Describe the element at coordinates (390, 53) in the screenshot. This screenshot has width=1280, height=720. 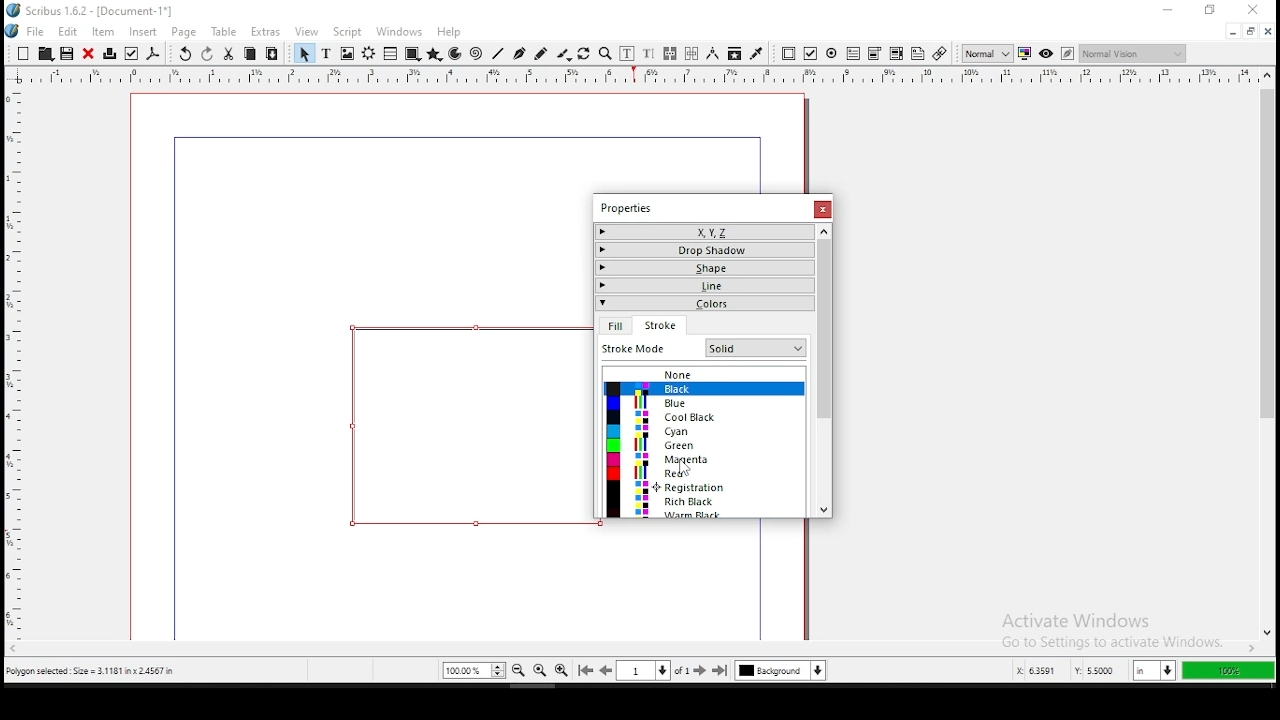
I see `table` at that location.